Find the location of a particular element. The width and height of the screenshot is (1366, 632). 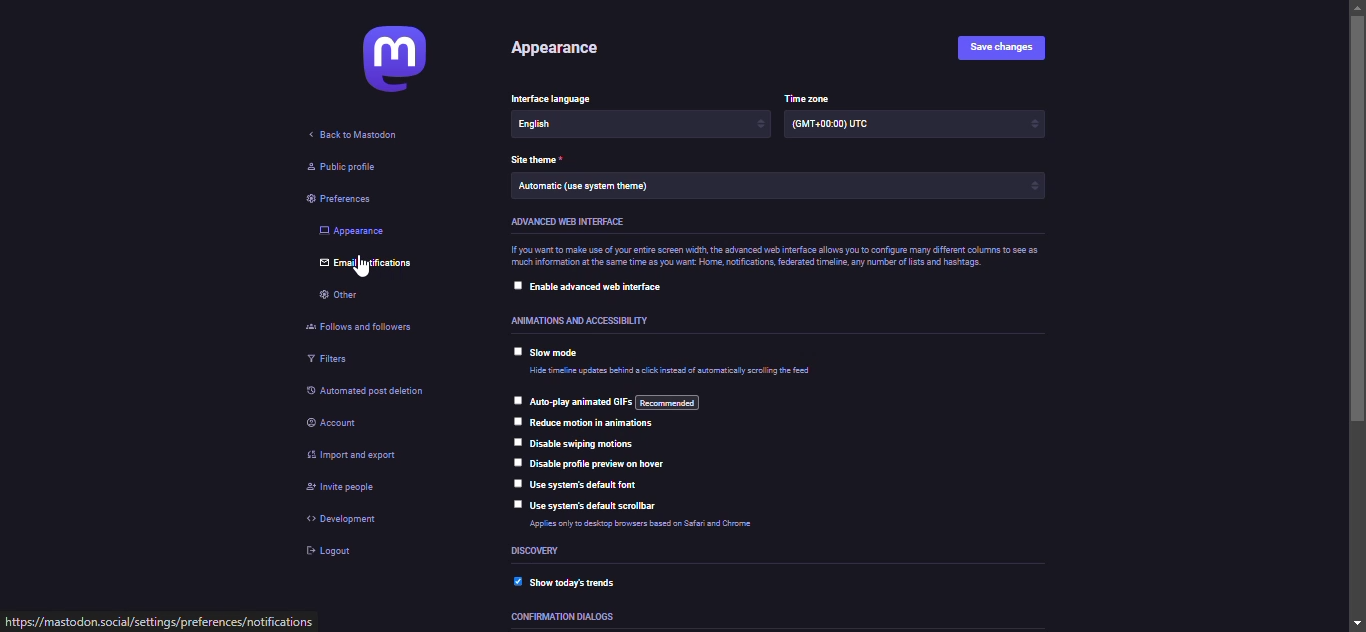

other is located at coordinates (334, 297).